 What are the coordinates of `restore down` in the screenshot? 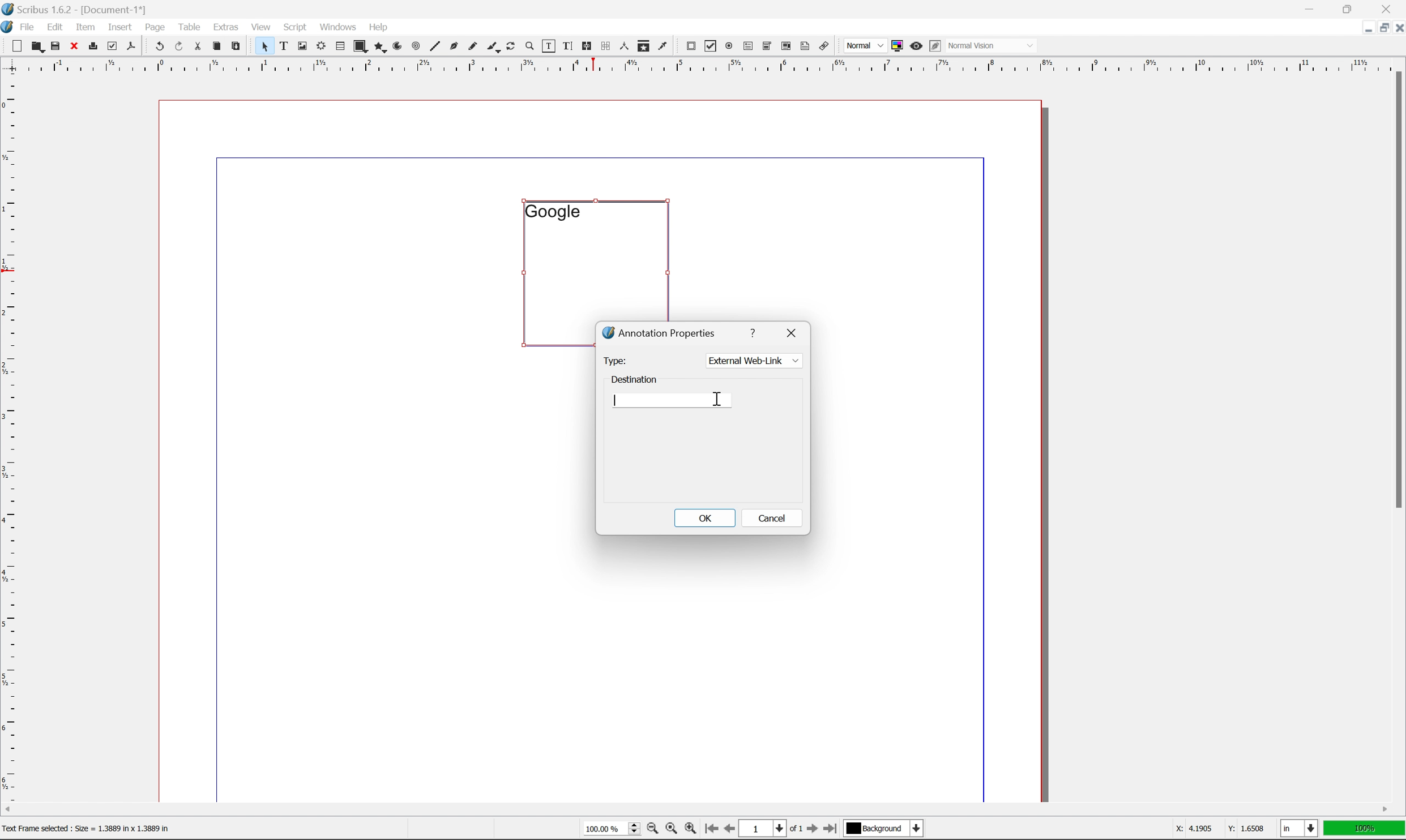 It's located at (1351, 8).